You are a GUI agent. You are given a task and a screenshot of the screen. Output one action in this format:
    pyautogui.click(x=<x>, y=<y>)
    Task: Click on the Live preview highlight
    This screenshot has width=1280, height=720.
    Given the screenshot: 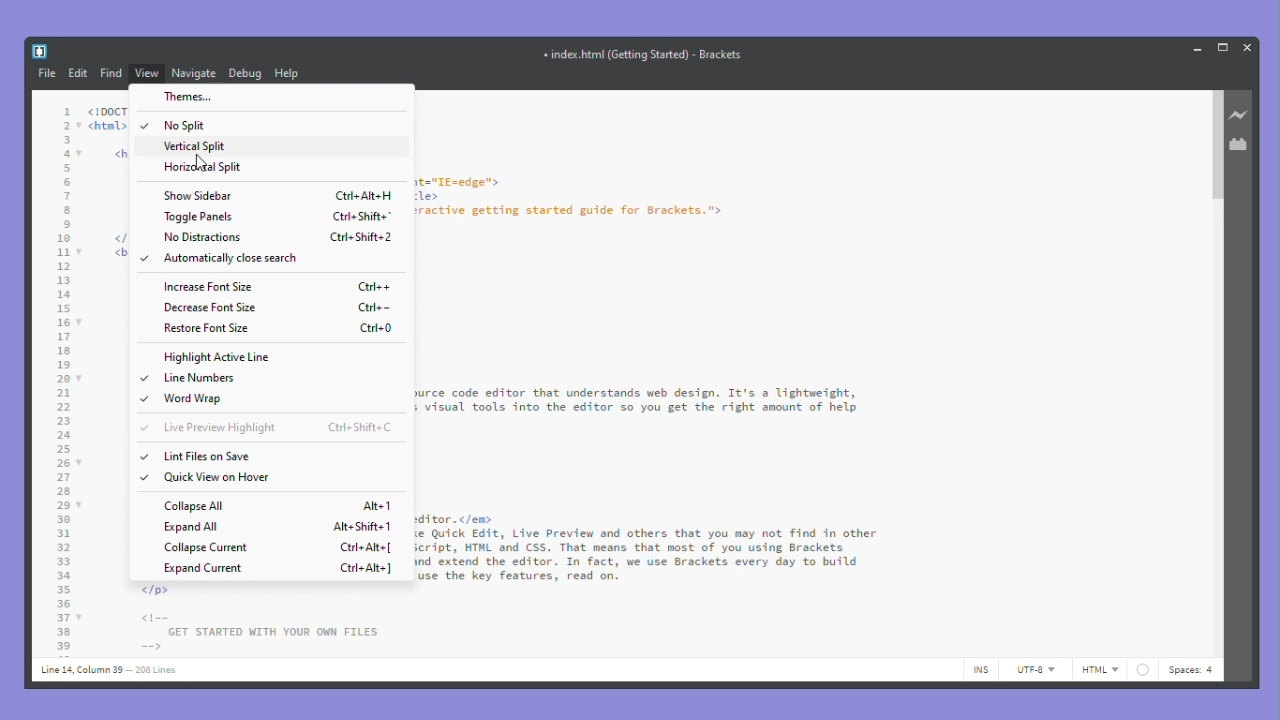 What is the action you would take?
    pyautogui.click(x=267, y=428)
    